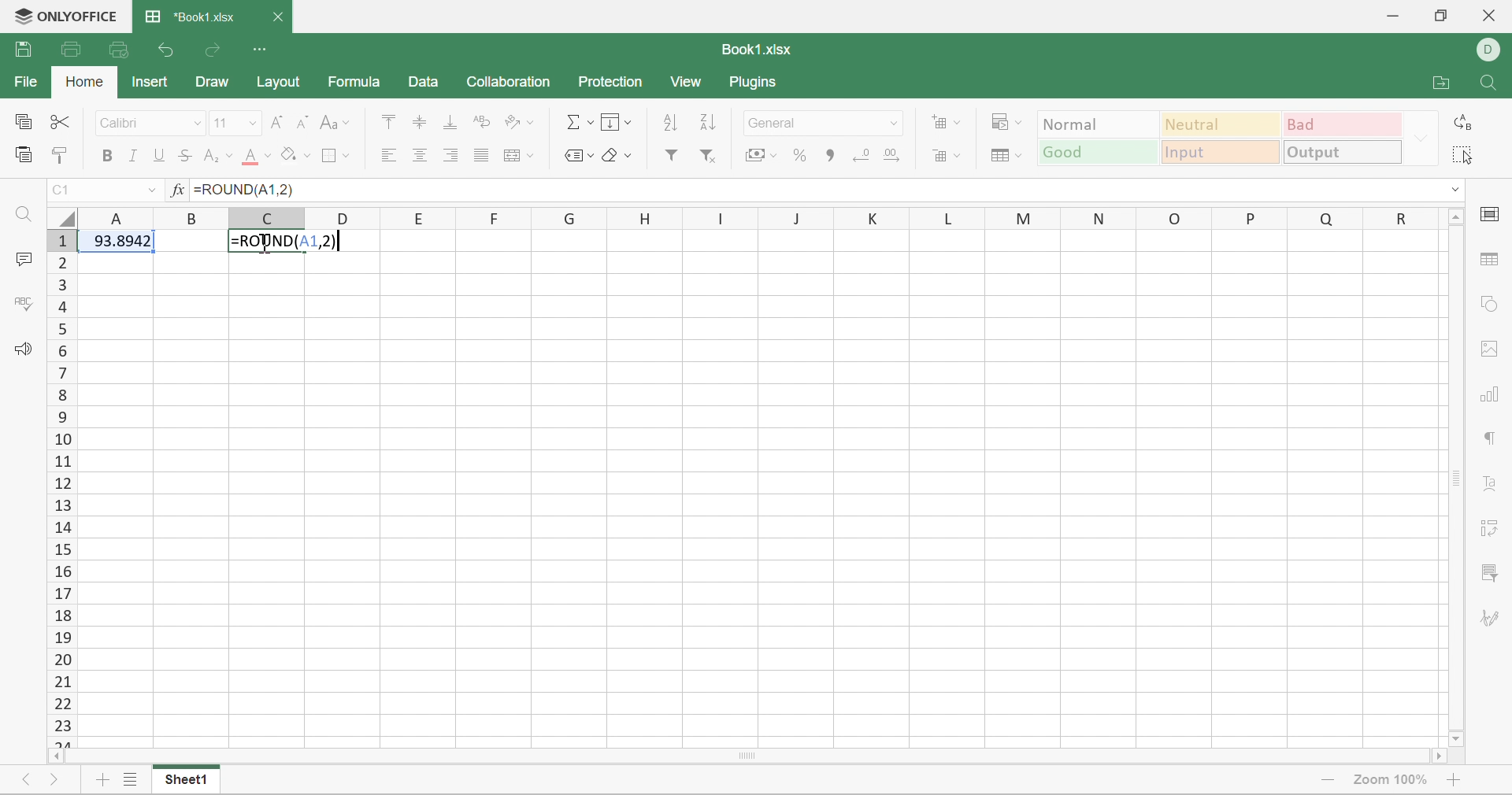 This screenshot has height=795, width=1512. I want to click on Good, so click(1100, 152).